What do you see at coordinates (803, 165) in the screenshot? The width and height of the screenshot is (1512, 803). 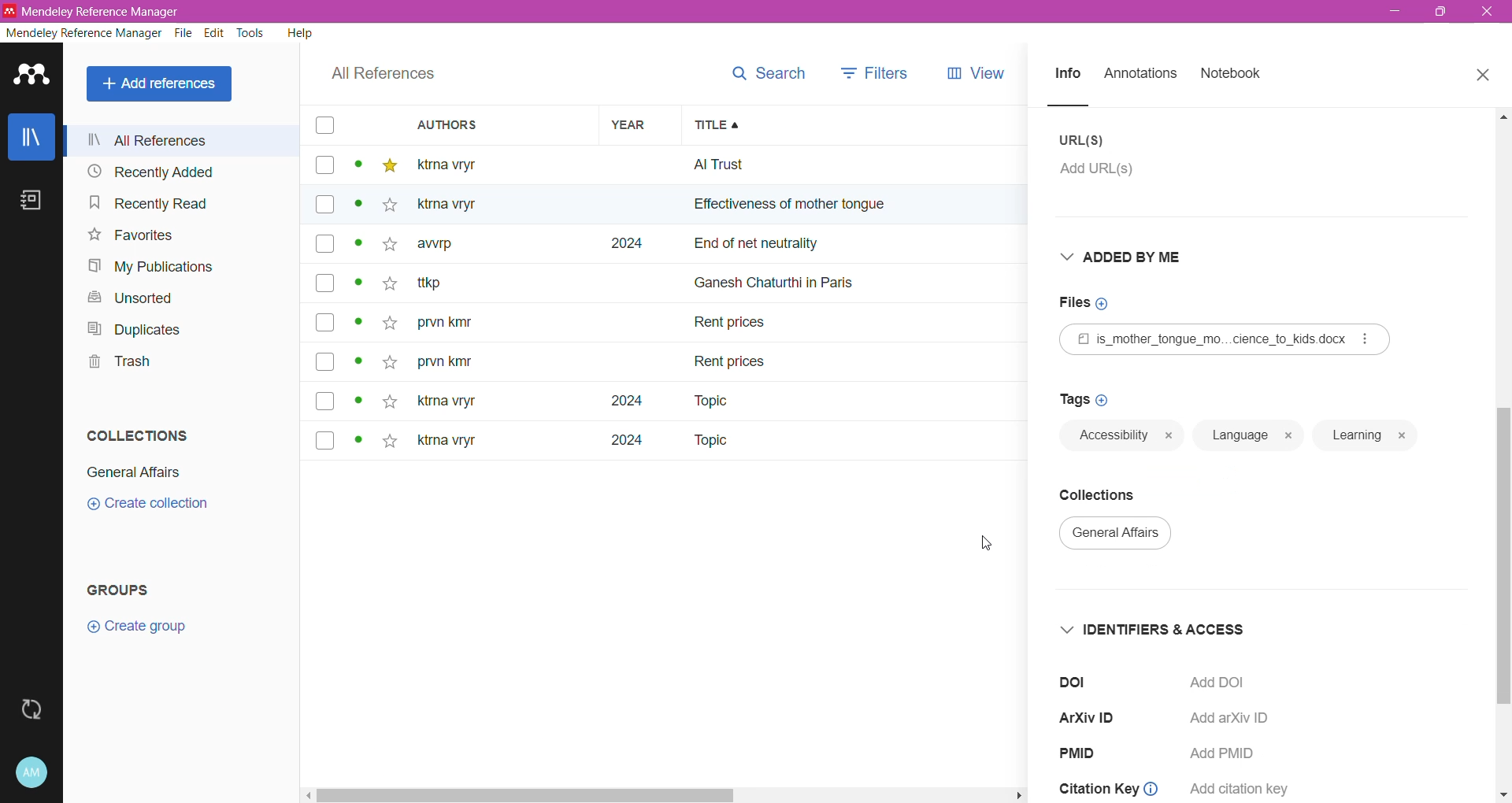 I see `all trust` at bounding box center [803, 165].